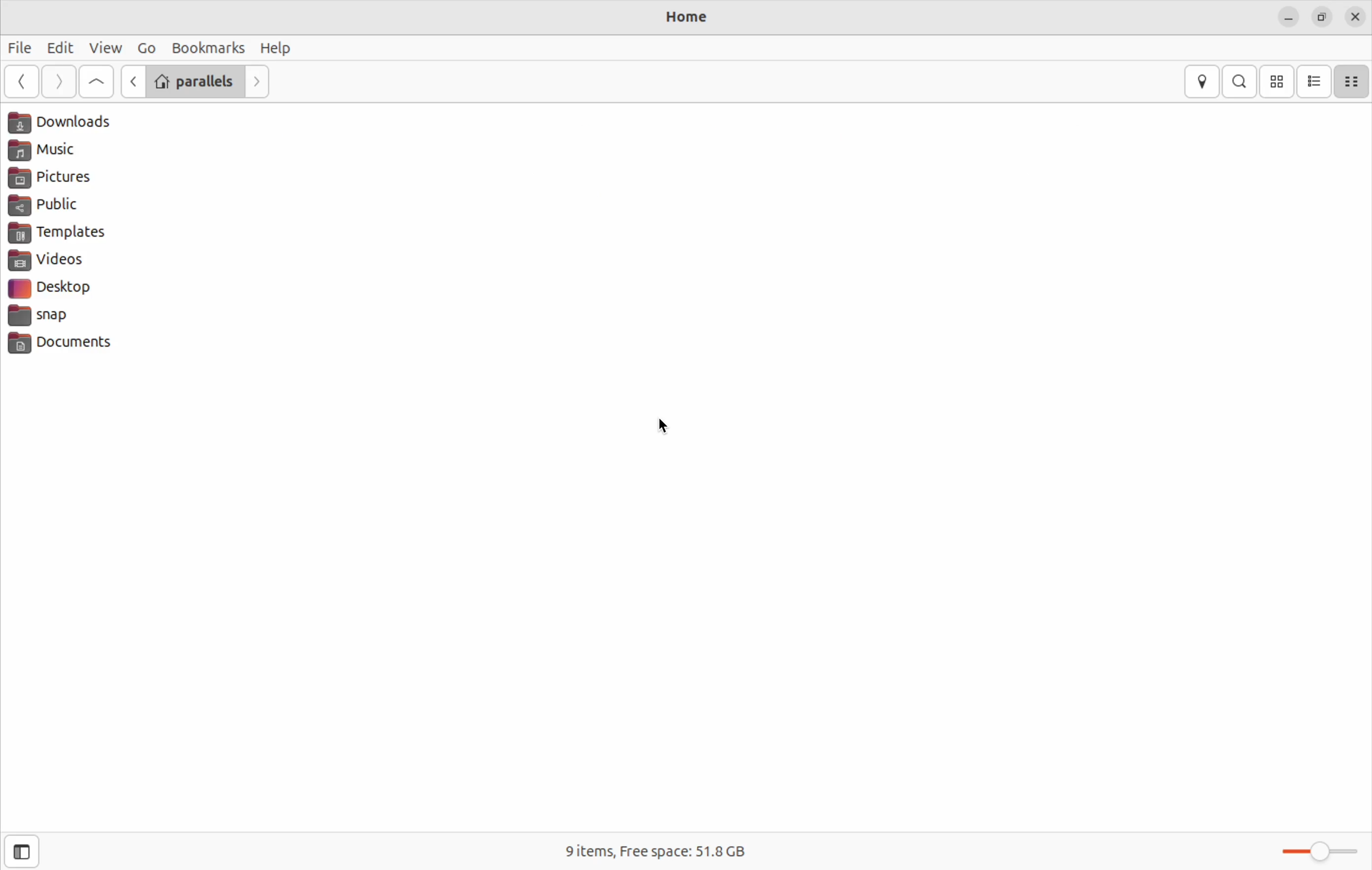 This screenshot has width=1372, height=870. Describe the element at coordinates (71, 180) in the screenshot. I see `pictures` at that location.